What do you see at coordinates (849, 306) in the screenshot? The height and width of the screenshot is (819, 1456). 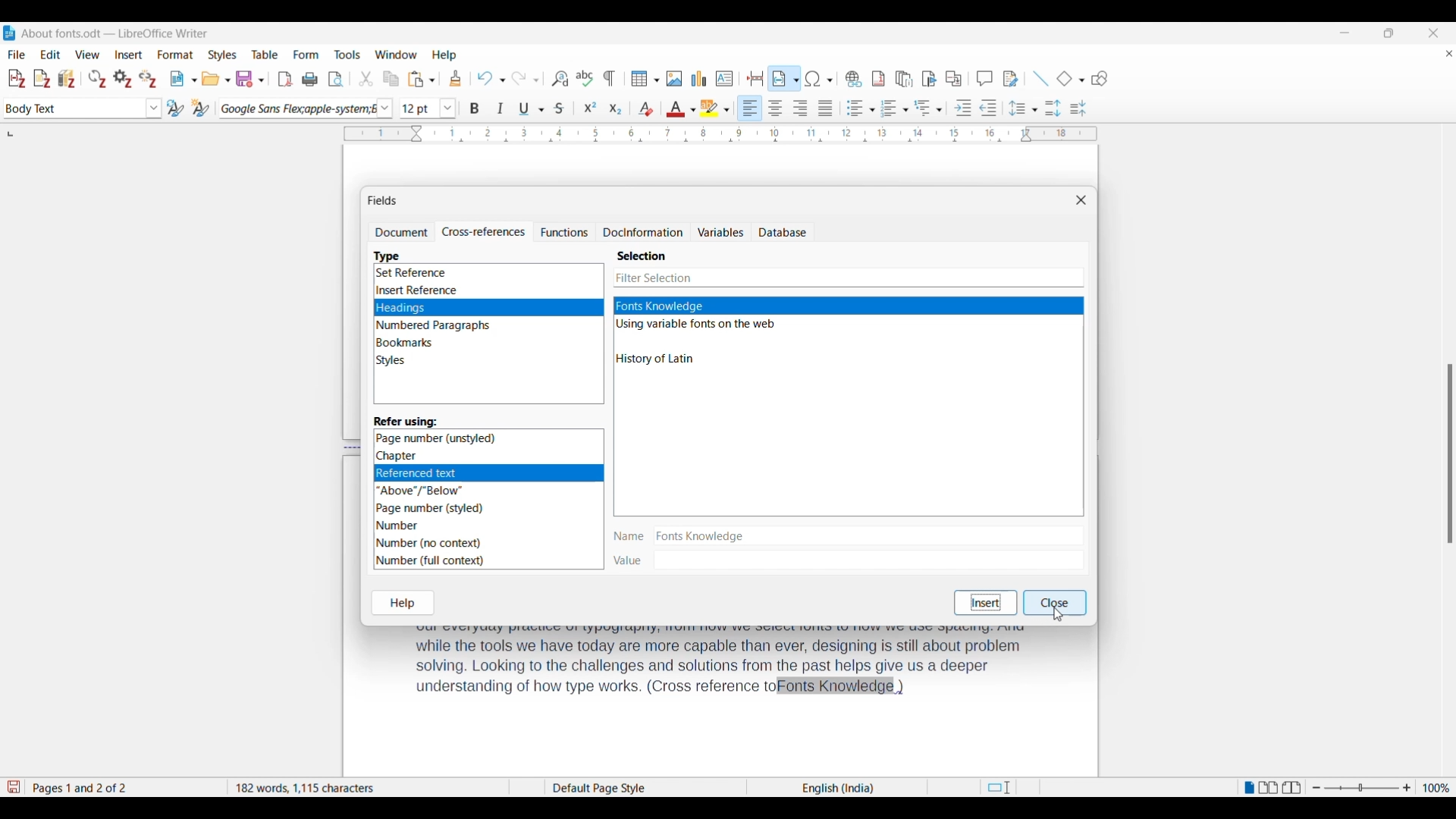 I see `Highllighted as current selection` at bounding box center [849, 306].